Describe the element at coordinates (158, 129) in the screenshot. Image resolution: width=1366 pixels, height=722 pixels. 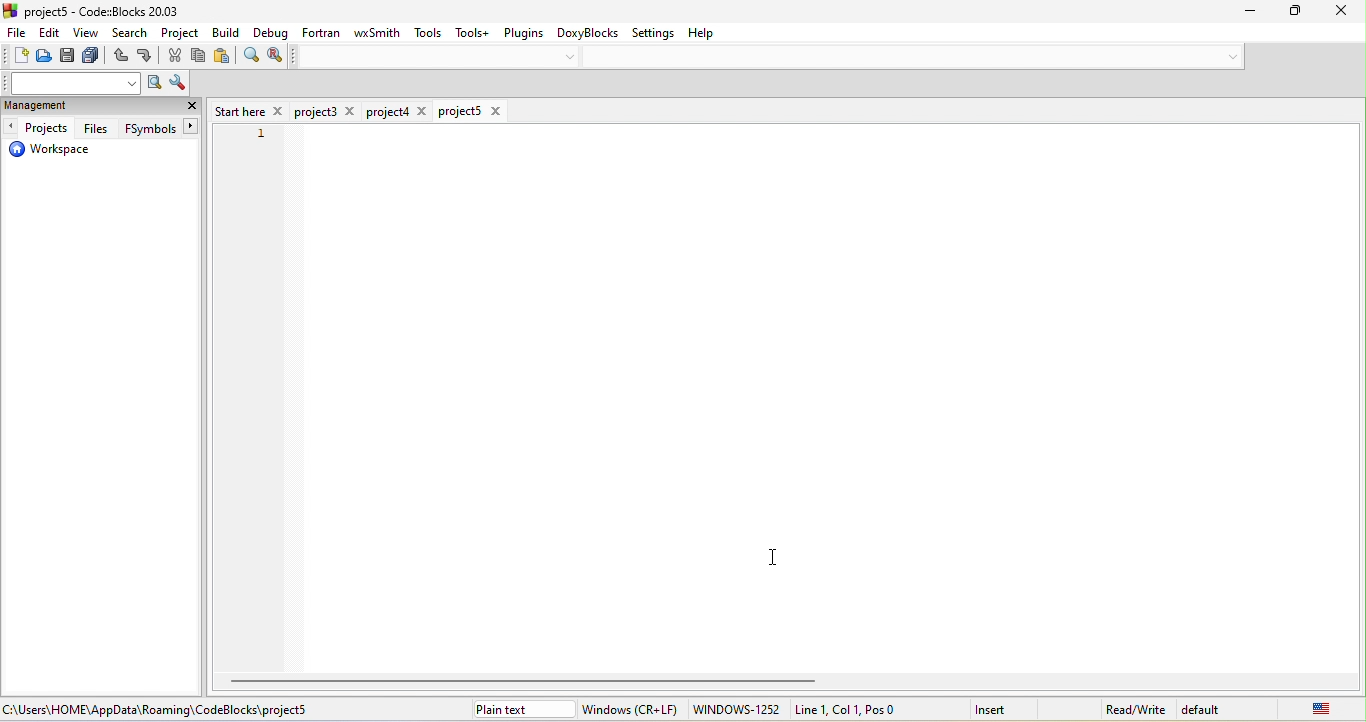
I see `fsymbols` at that location.